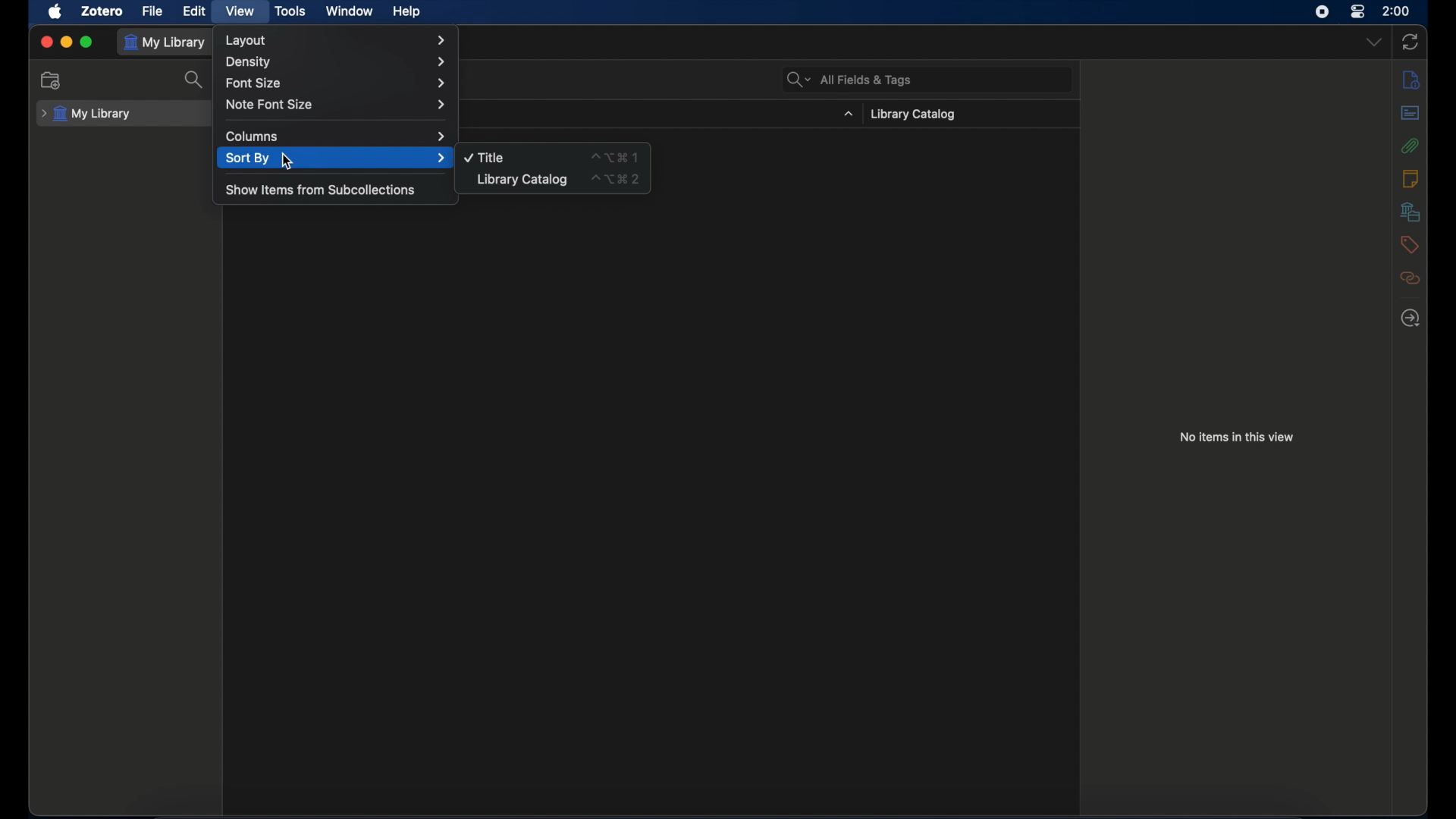  I want to click on density, so click(334, 61).